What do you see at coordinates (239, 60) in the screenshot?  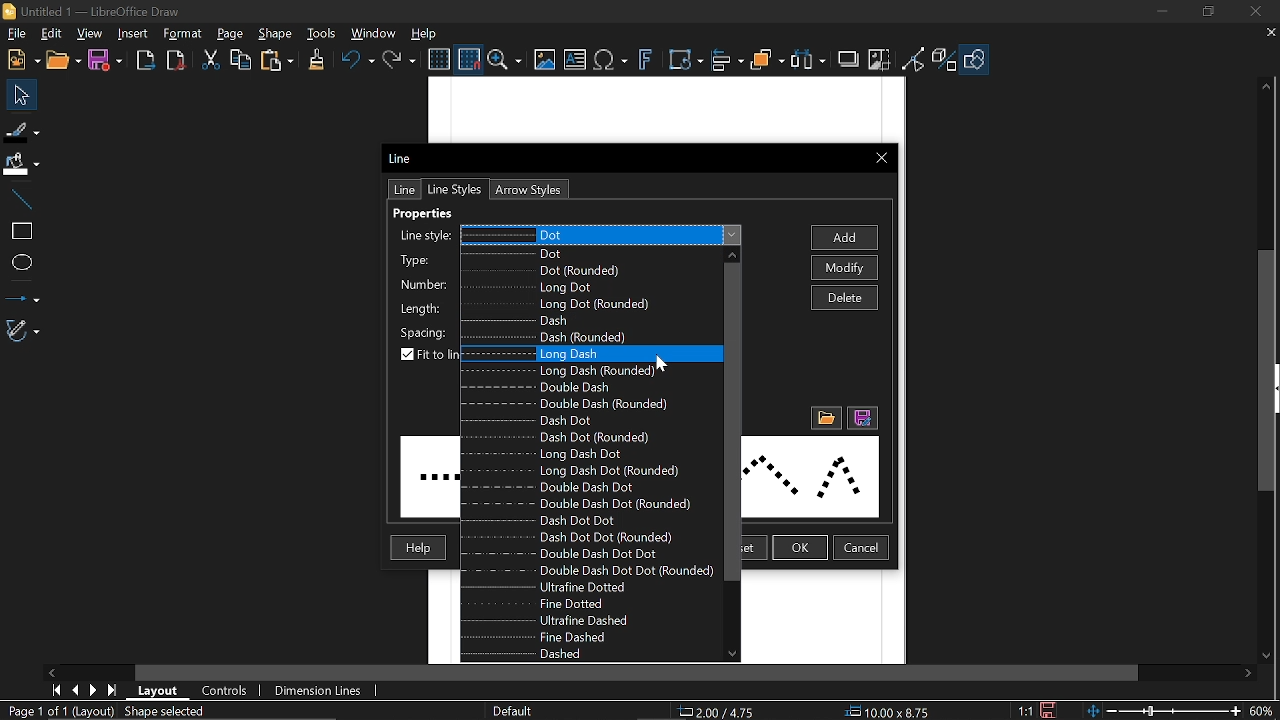 I see `Copy` at bounding box center [239, 60].